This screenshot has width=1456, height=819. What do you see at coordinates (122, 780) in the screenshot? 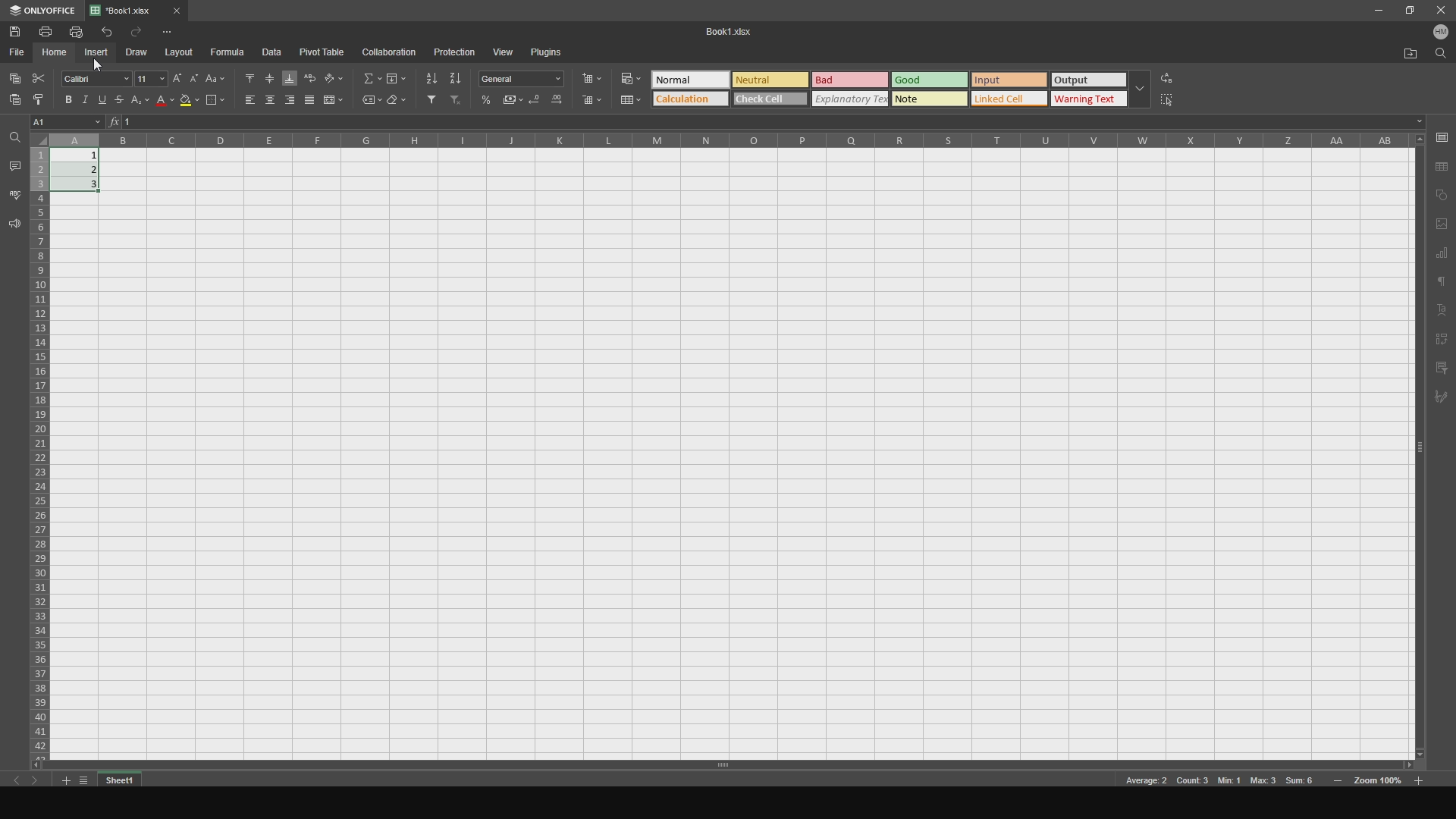
I see `sheet` at bounding box center [122, 780].